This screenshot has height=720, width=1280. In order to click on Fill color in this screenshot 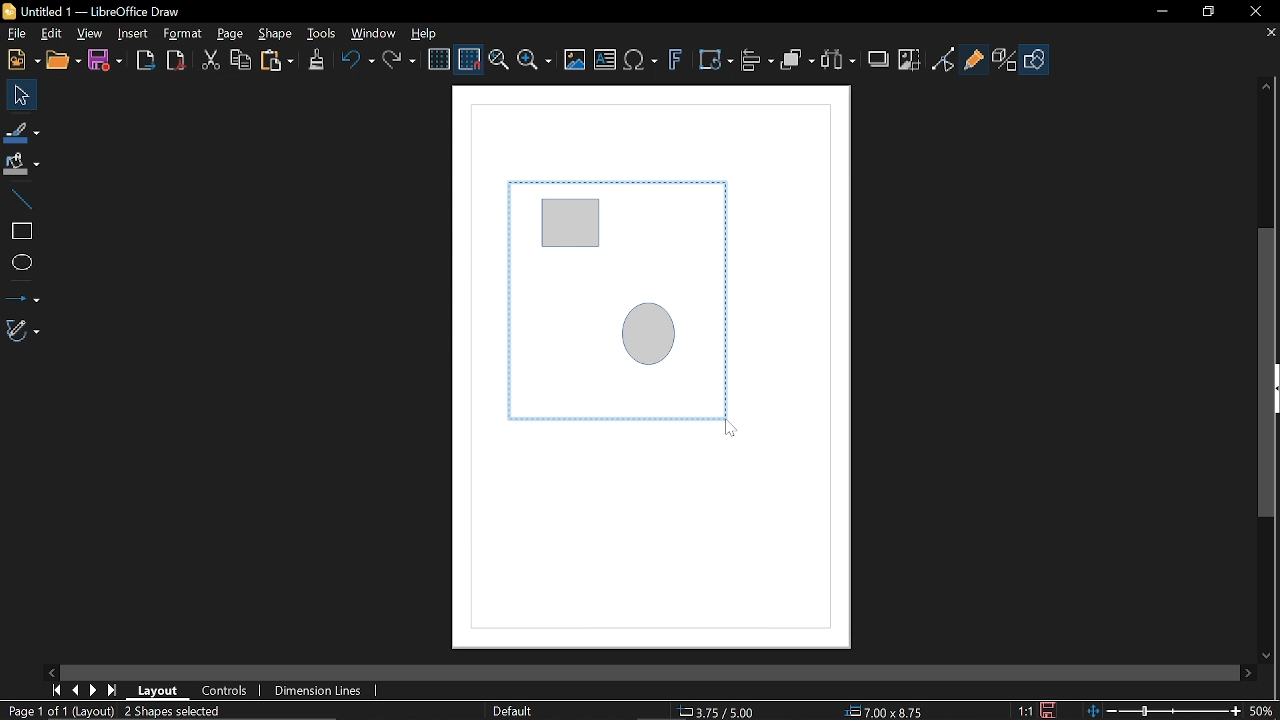, I will do `click(20, 162)`.